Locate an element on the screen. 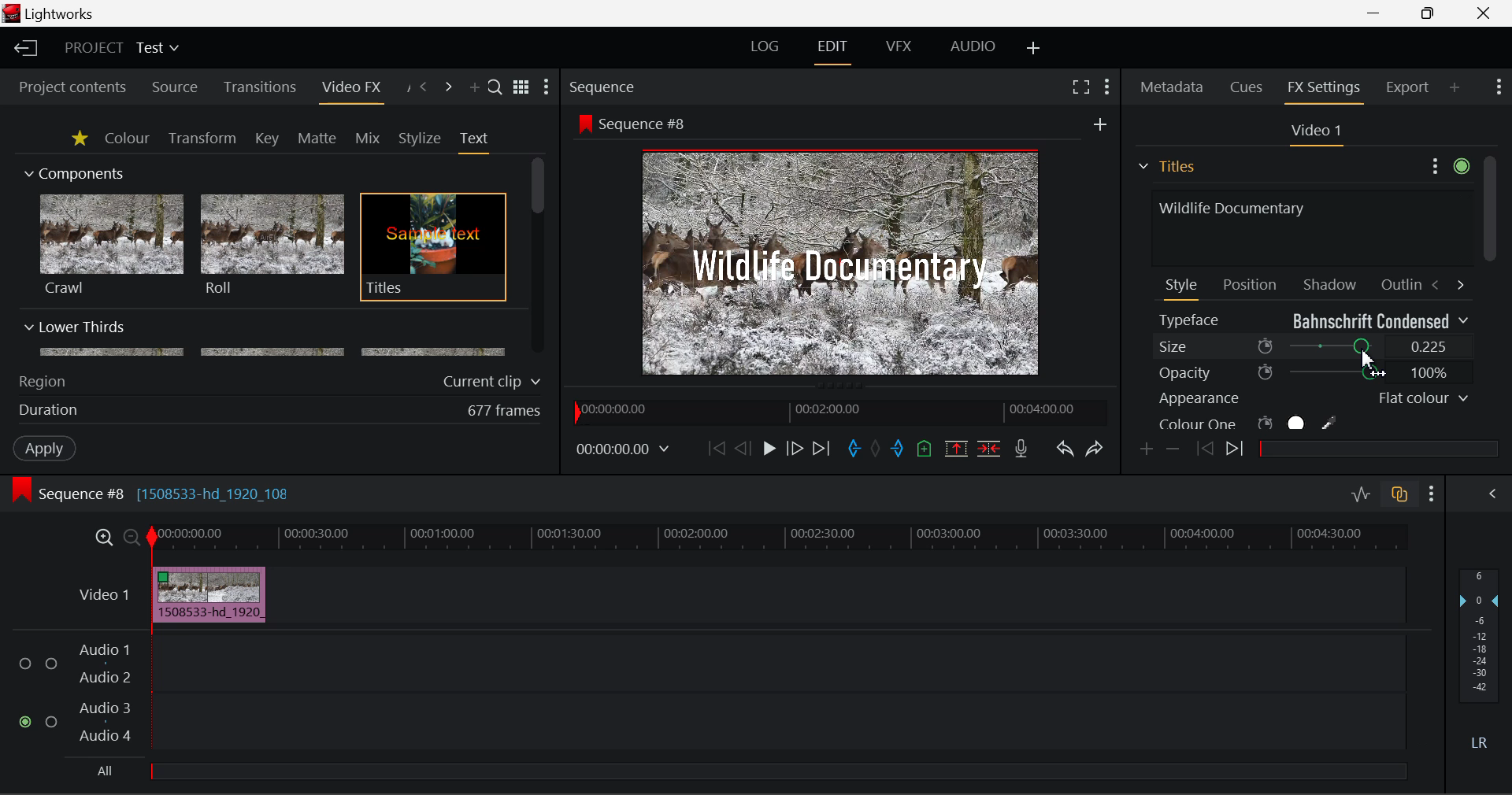 This screenshot has width=1512, height=795. Add keyframe is located at coordinates (1148, 450).